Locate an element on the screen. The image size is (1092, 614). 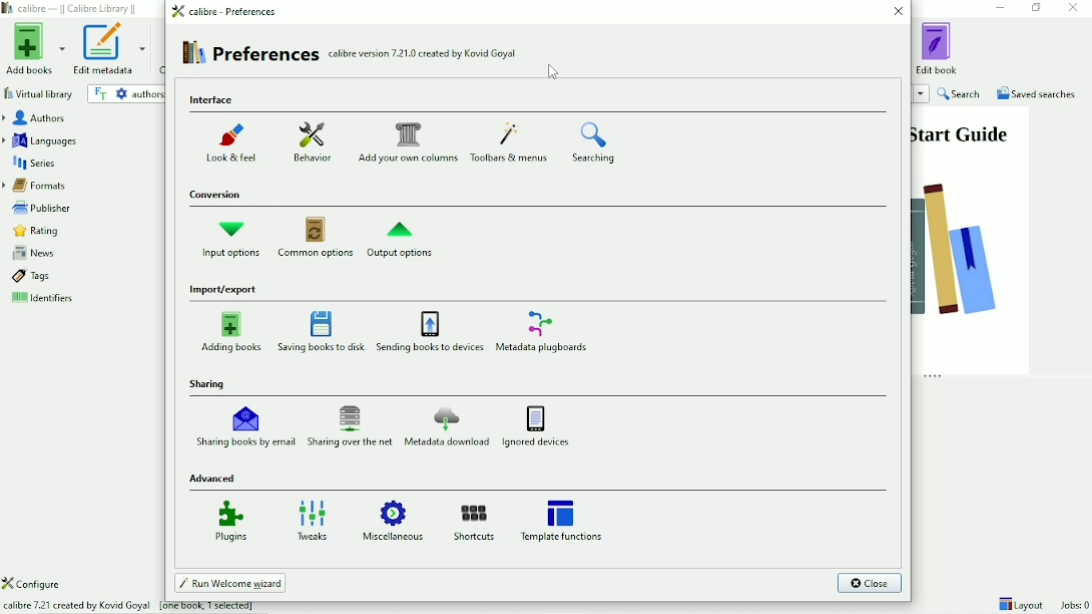
Miscellaneous is located at coordinates (395, 521).